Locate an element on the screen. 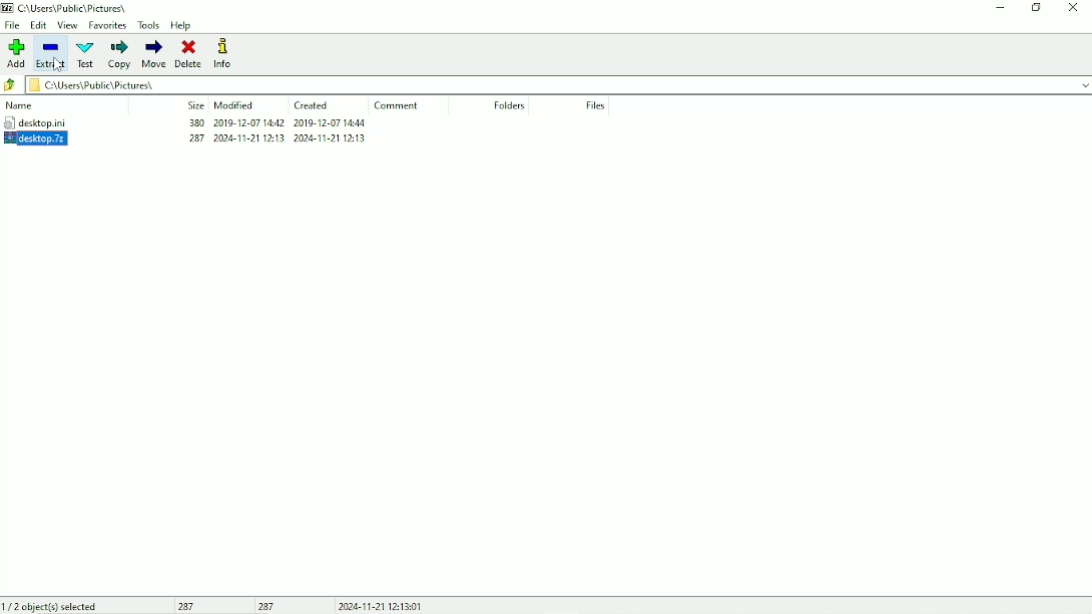  87 2004-11-21 1213 2048-11-21 1213 is located at coordinates (271, 139).